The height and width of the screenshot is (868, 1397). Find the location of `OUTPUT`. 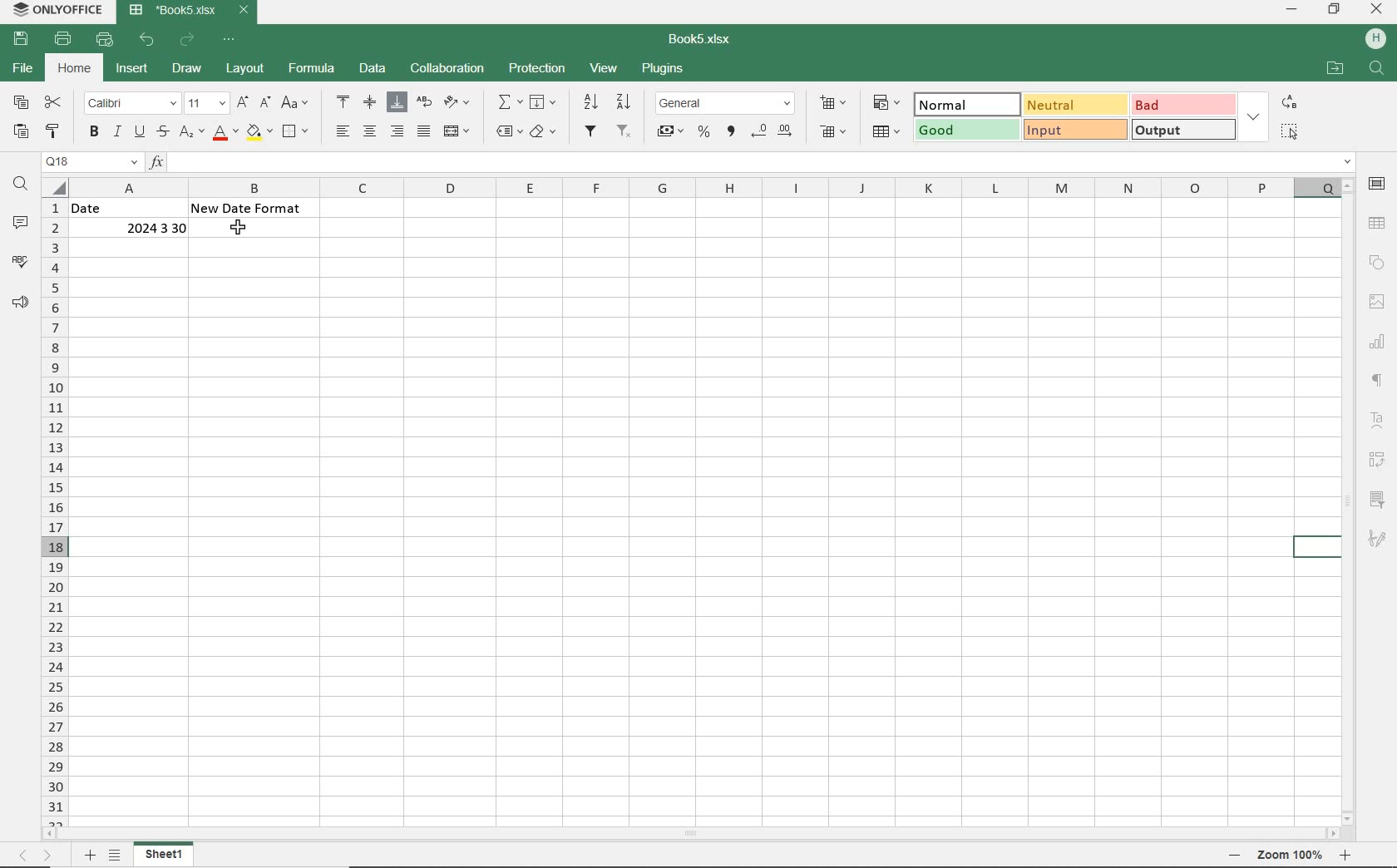

OUTPUT is located at coordinates (1185, 129).